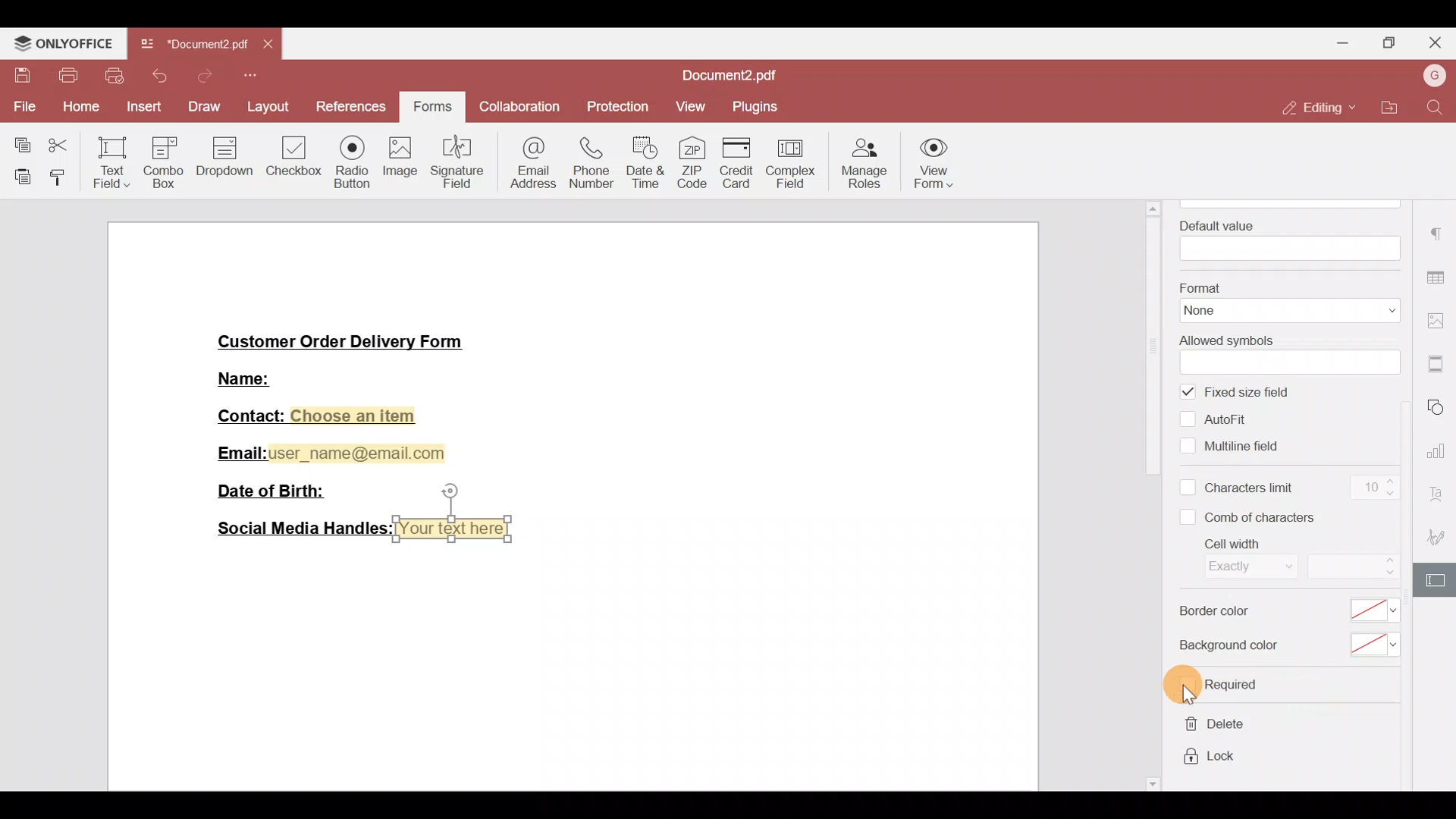 The image size is (1456, 819). What do you see at coordinates (1385, 105) in the screenshot?
I see `Open file location` at bounding box center [1385, 105].